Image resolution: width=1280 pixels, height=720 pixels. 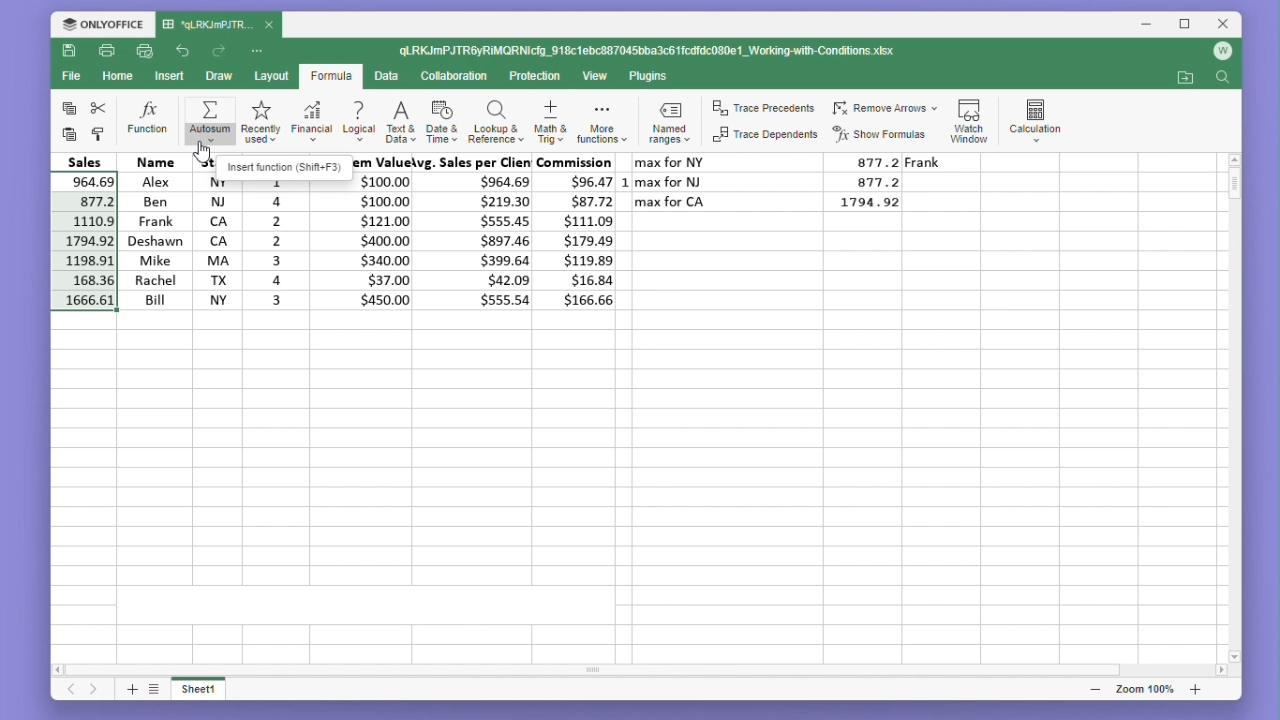 What do you see at coordinates (496, 120) in the screenshot?
I see `Lookup and reference` at bounding box center [496, 120].